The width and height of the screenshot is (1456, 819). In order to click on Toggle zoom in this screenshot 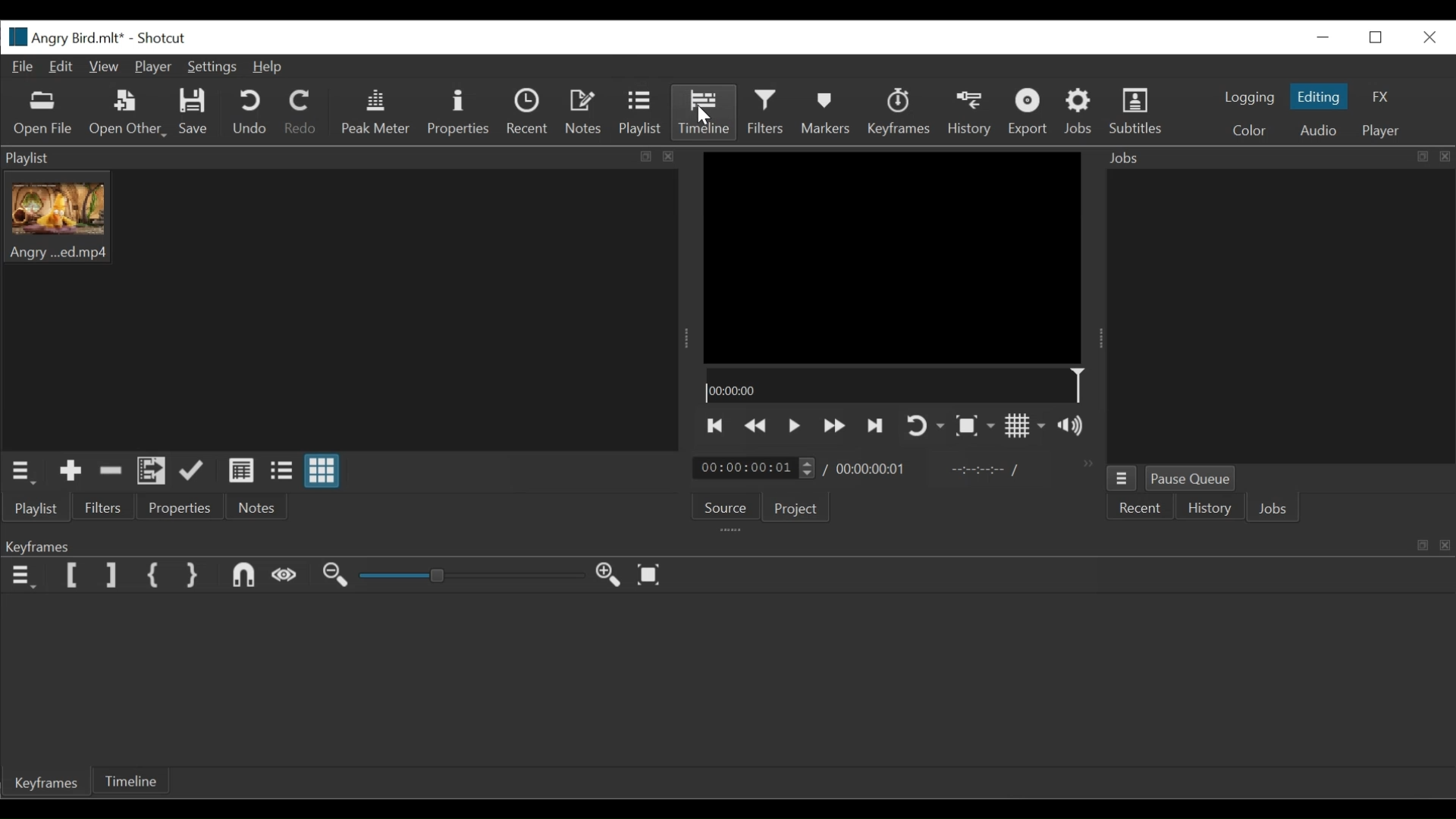, I will do `click(974, 425)`.